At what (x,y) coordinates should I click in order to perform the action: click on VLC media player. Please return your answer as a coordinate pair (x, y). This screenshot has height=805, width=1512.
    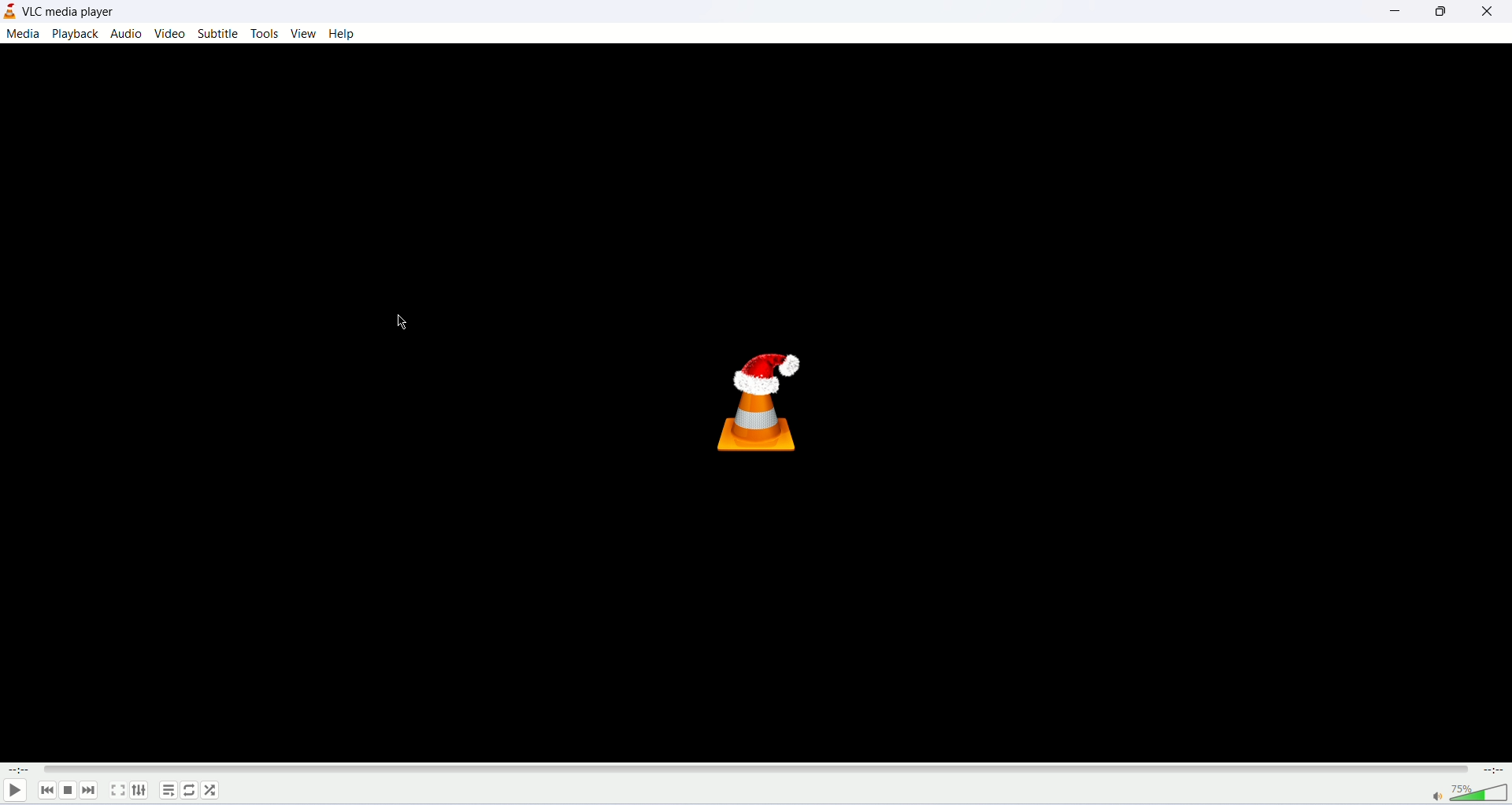
    Looking at the image, I should click on (72, 11).